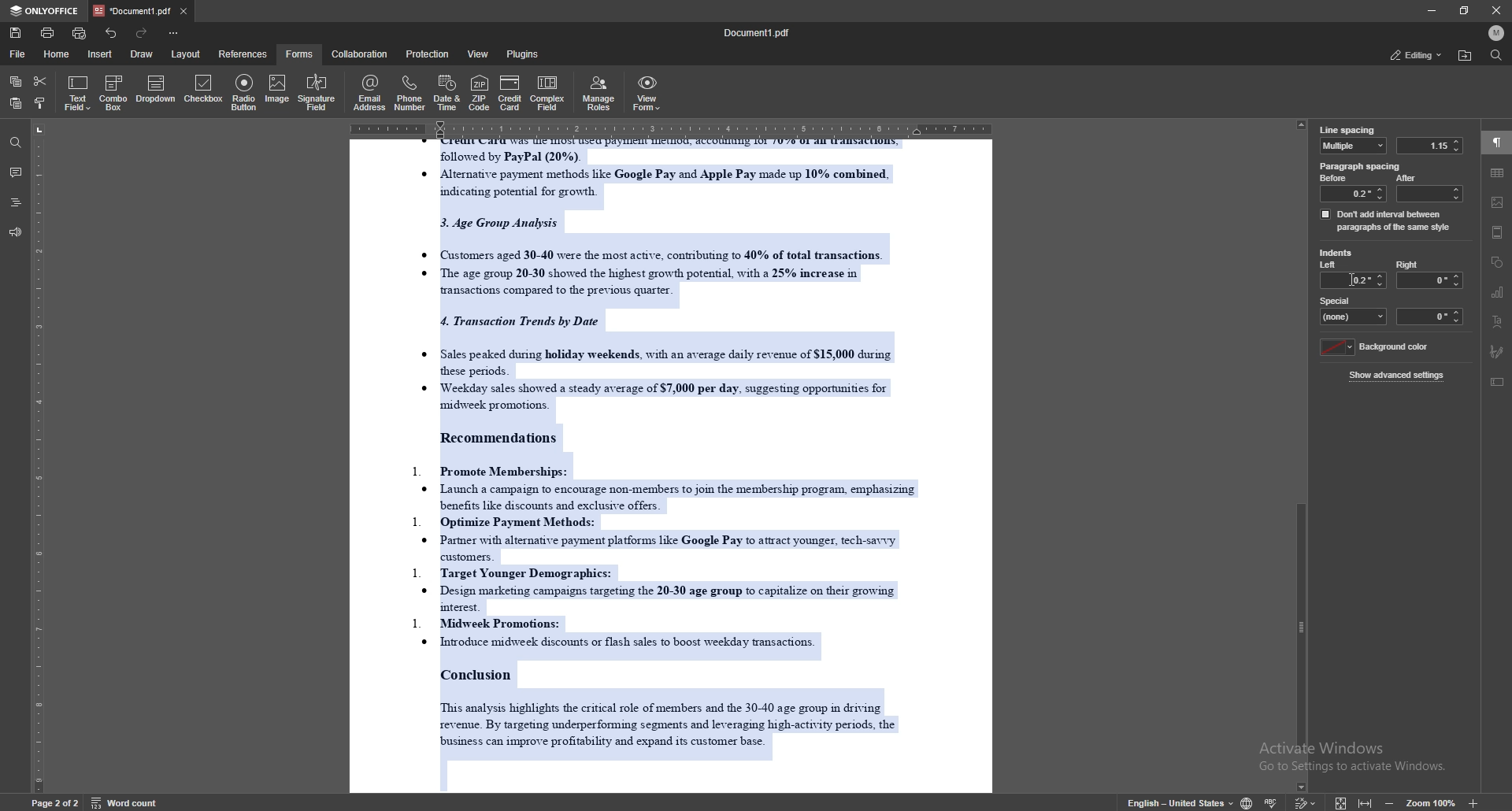 This screenshot has width=1512, height=811. What do you see at coordinates (1180, 802) in the screenshot?
I see `change text language` at bounding box center [1180, 802].